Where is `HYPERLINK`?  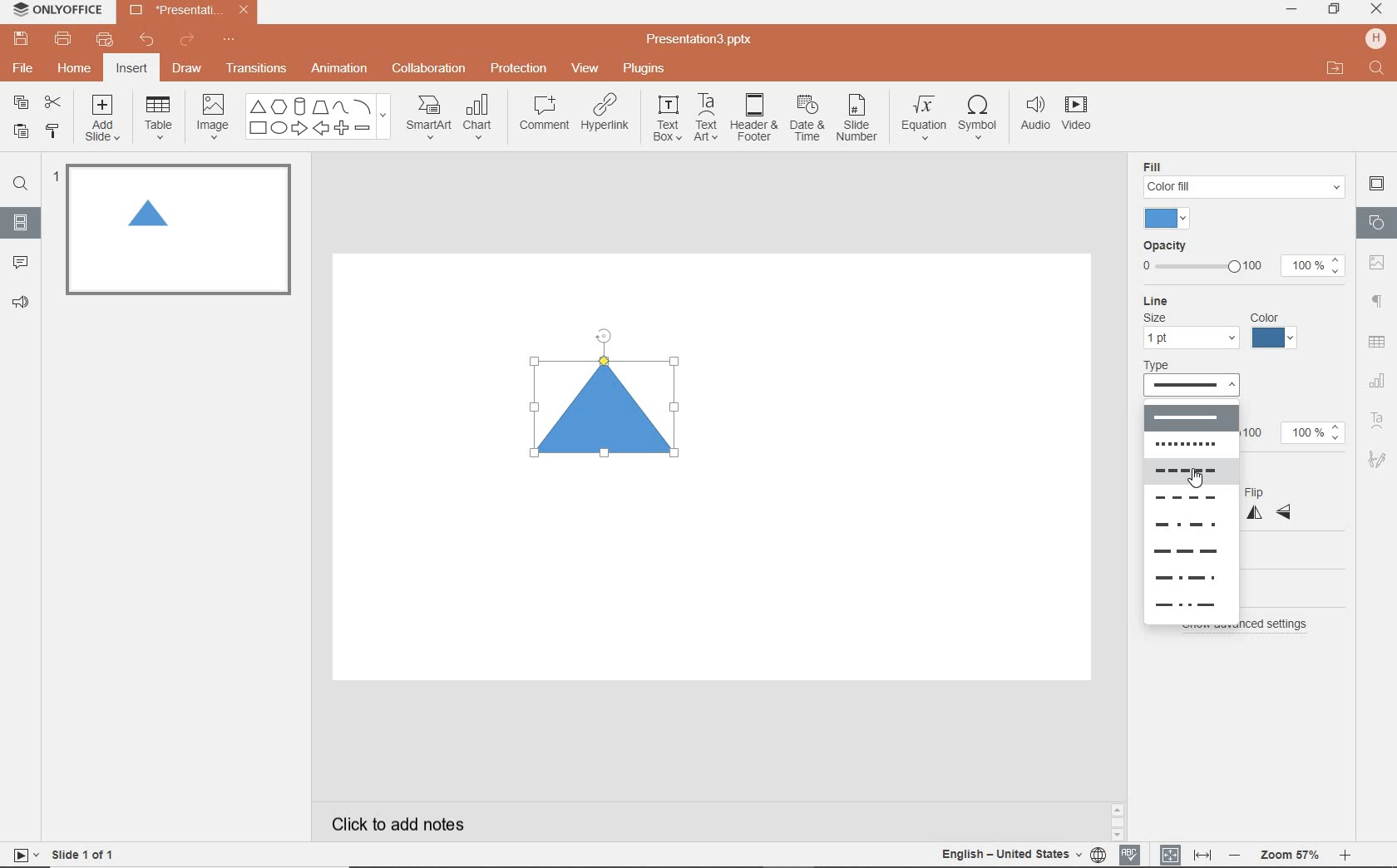
HYPERLINK is located at coordinates (605, 117).